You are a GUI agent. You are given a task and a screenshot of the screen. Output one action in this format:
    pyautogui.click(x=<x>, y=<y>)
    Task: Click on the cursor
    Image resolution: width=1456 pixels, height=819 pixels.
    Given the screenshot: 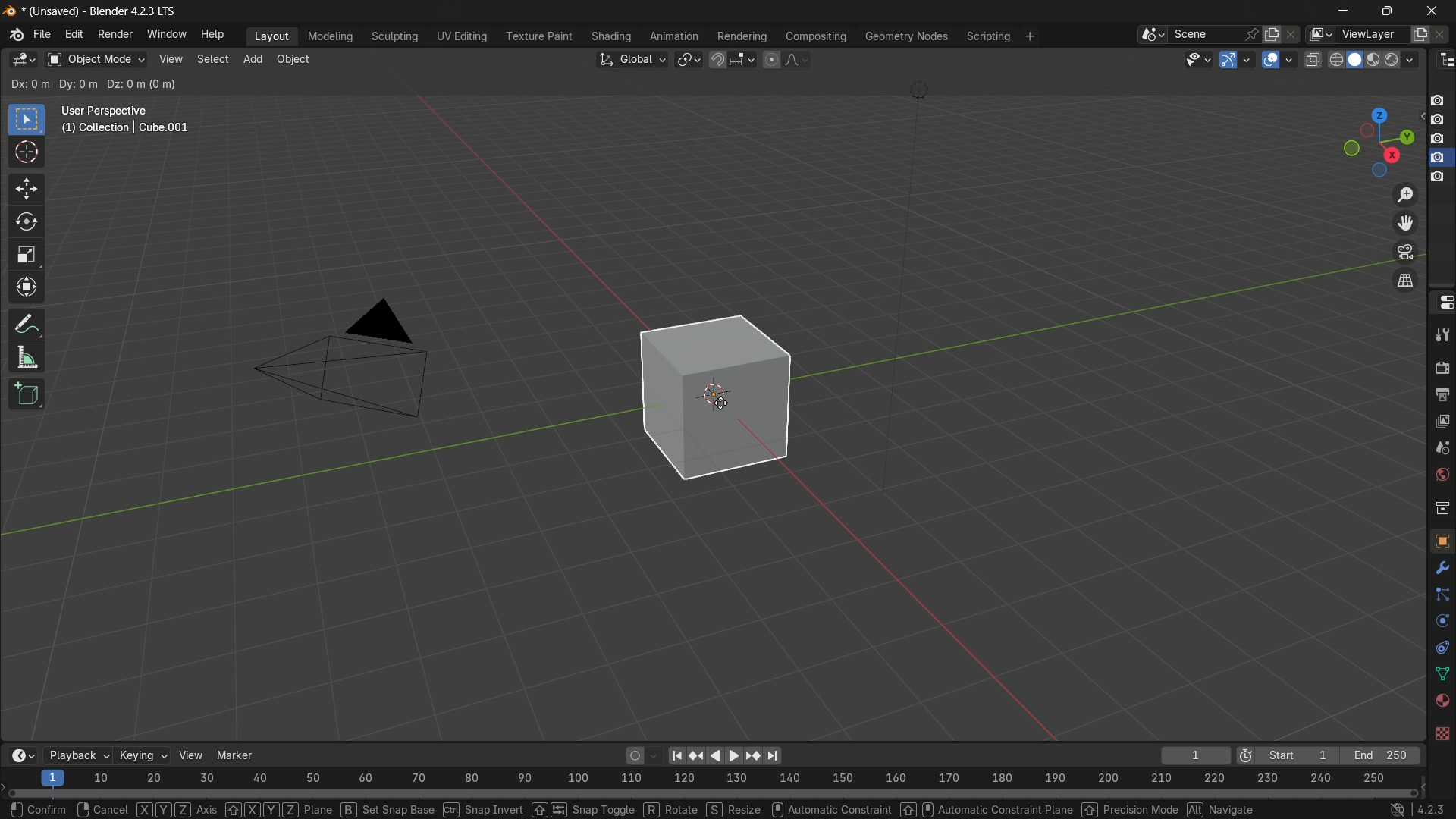 What is the action you would take?
    pyautogui.click(x=27, y=154)
    